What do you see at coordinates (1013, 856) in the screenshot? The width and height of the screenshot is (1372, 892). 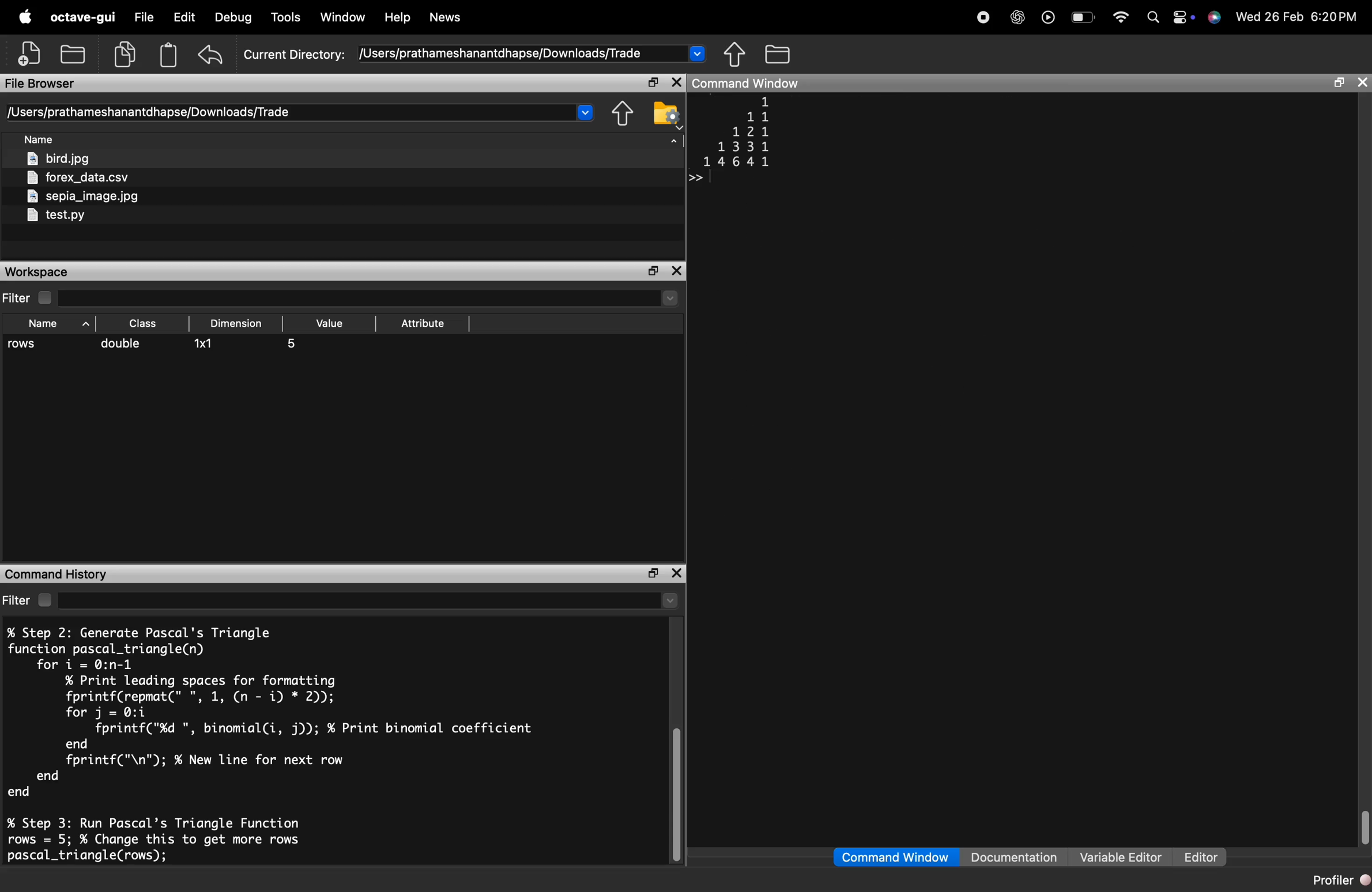 I see `Documentation` at bounding box center [1013, 856].